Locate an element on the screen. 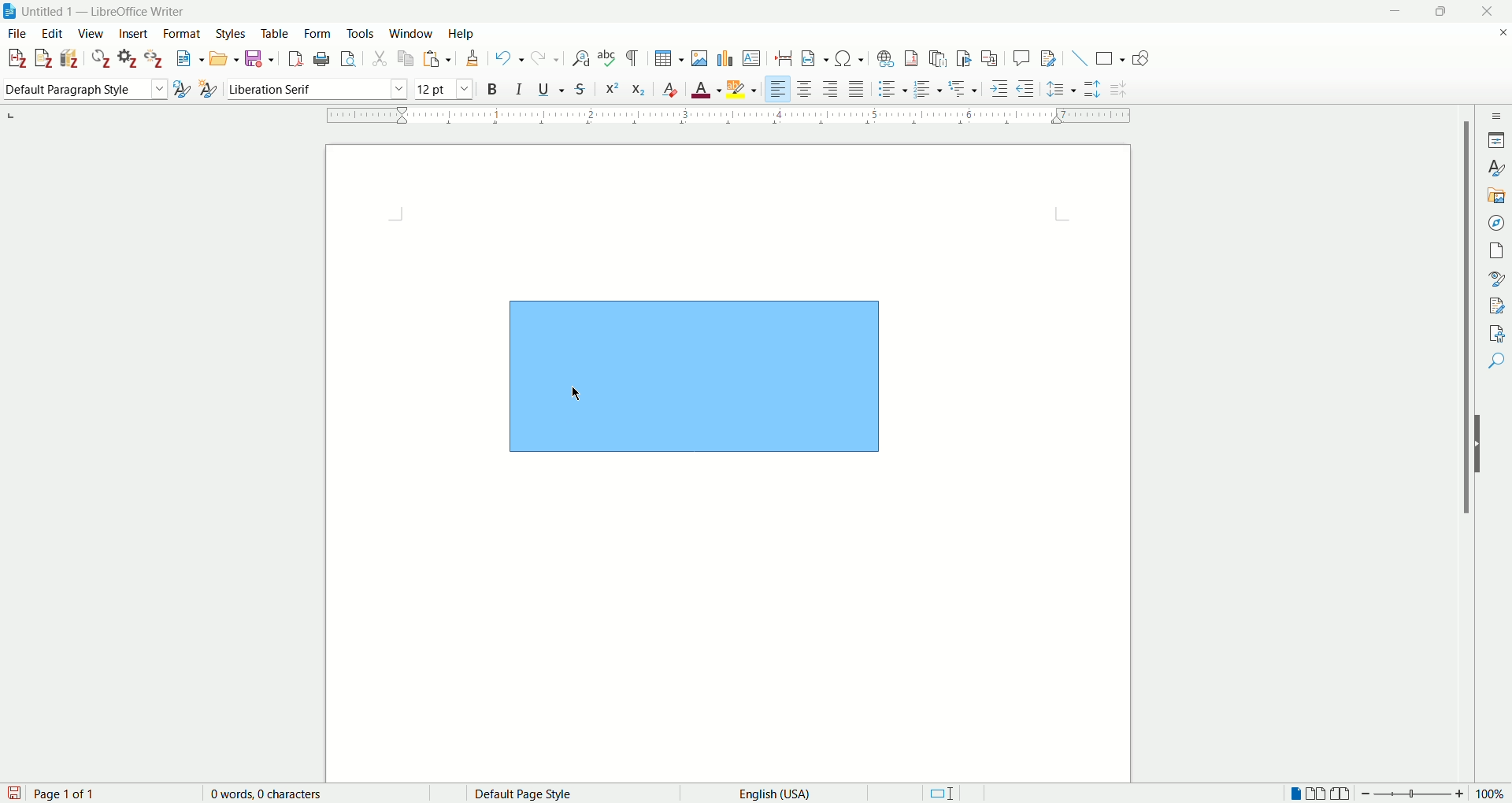  new is located at coordinates (187, 60).